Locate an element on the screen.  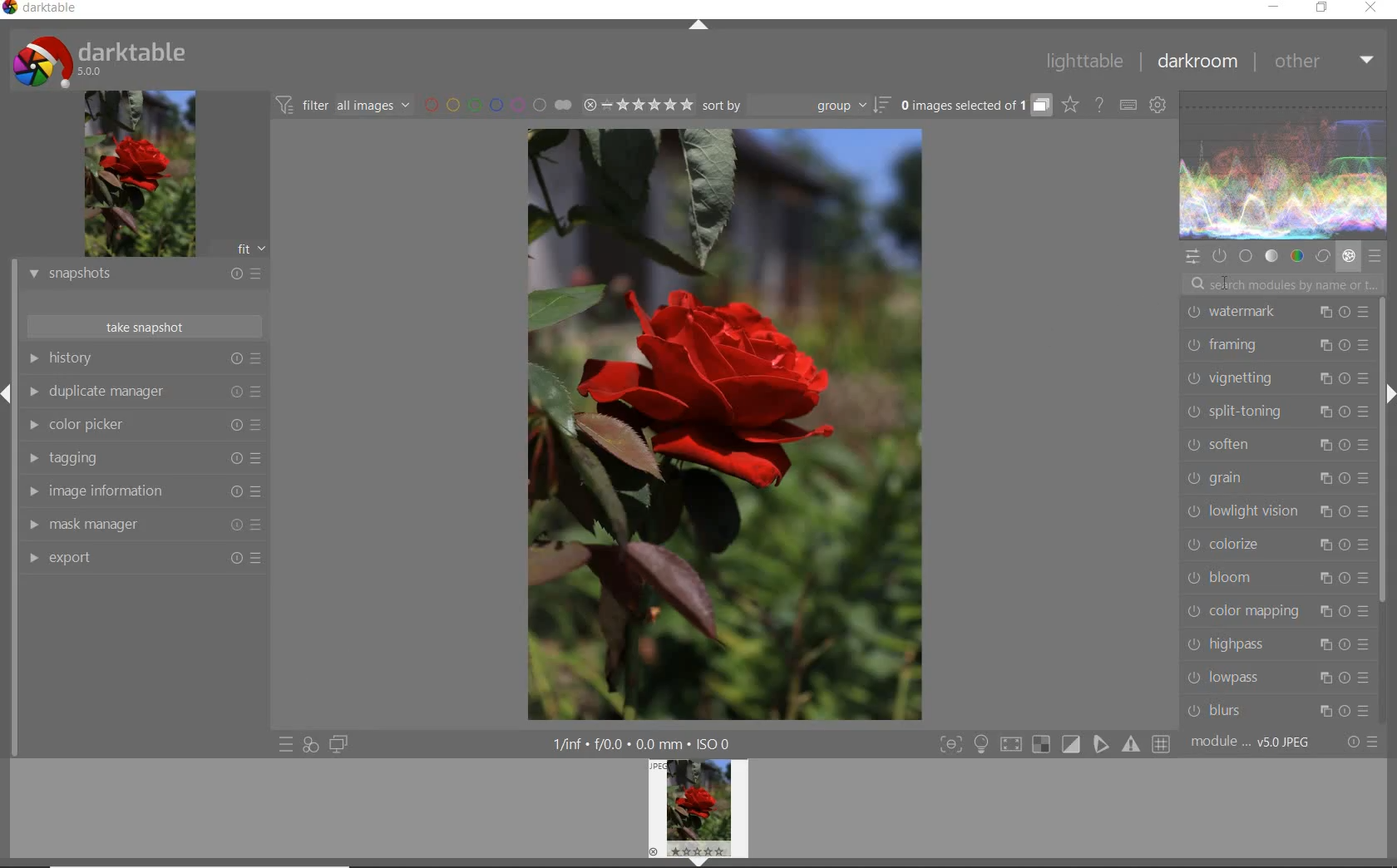
set keyboard shortcuts is located at coordinates (1128, 105).